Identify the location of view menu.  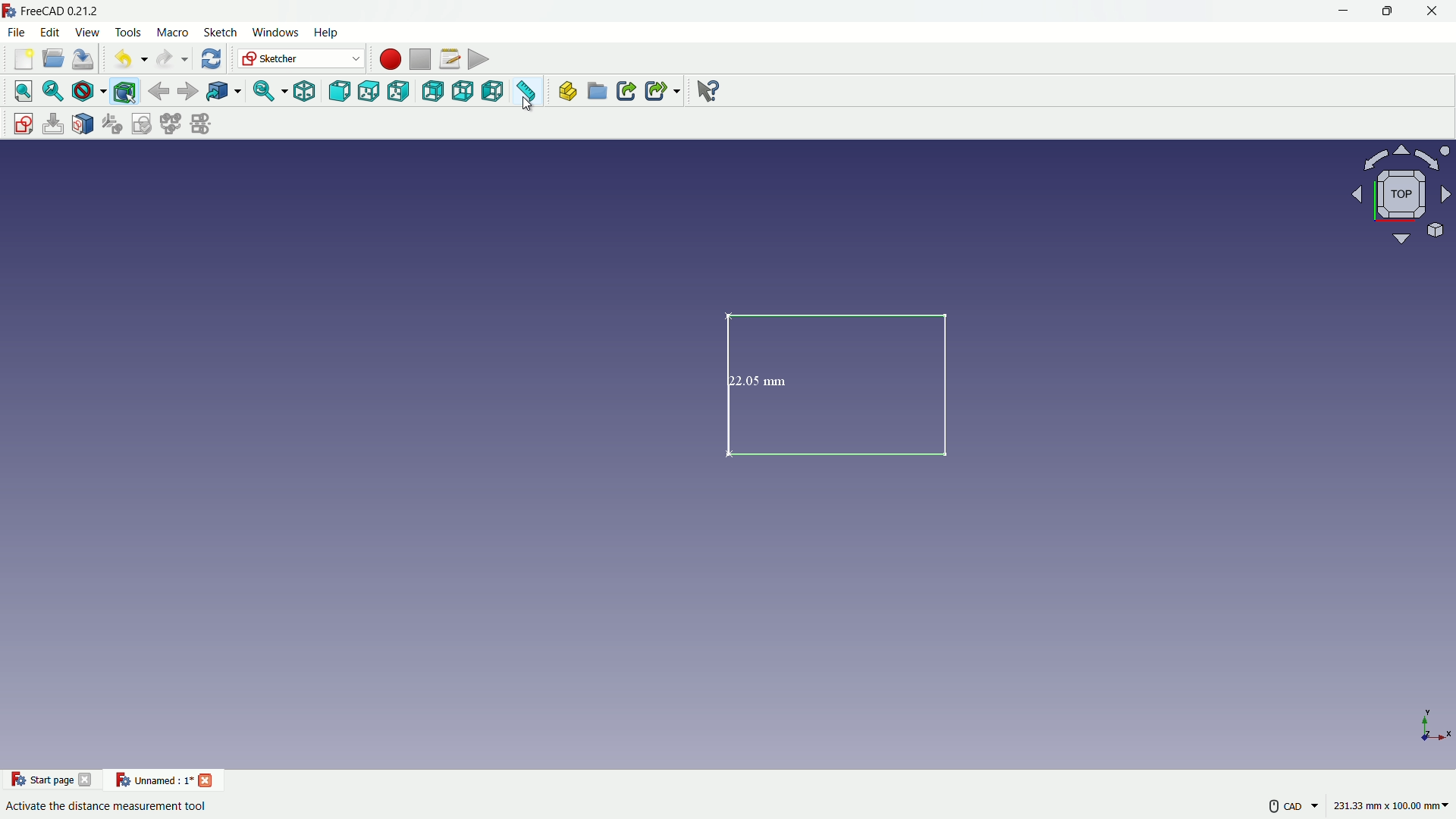
(86, 33).